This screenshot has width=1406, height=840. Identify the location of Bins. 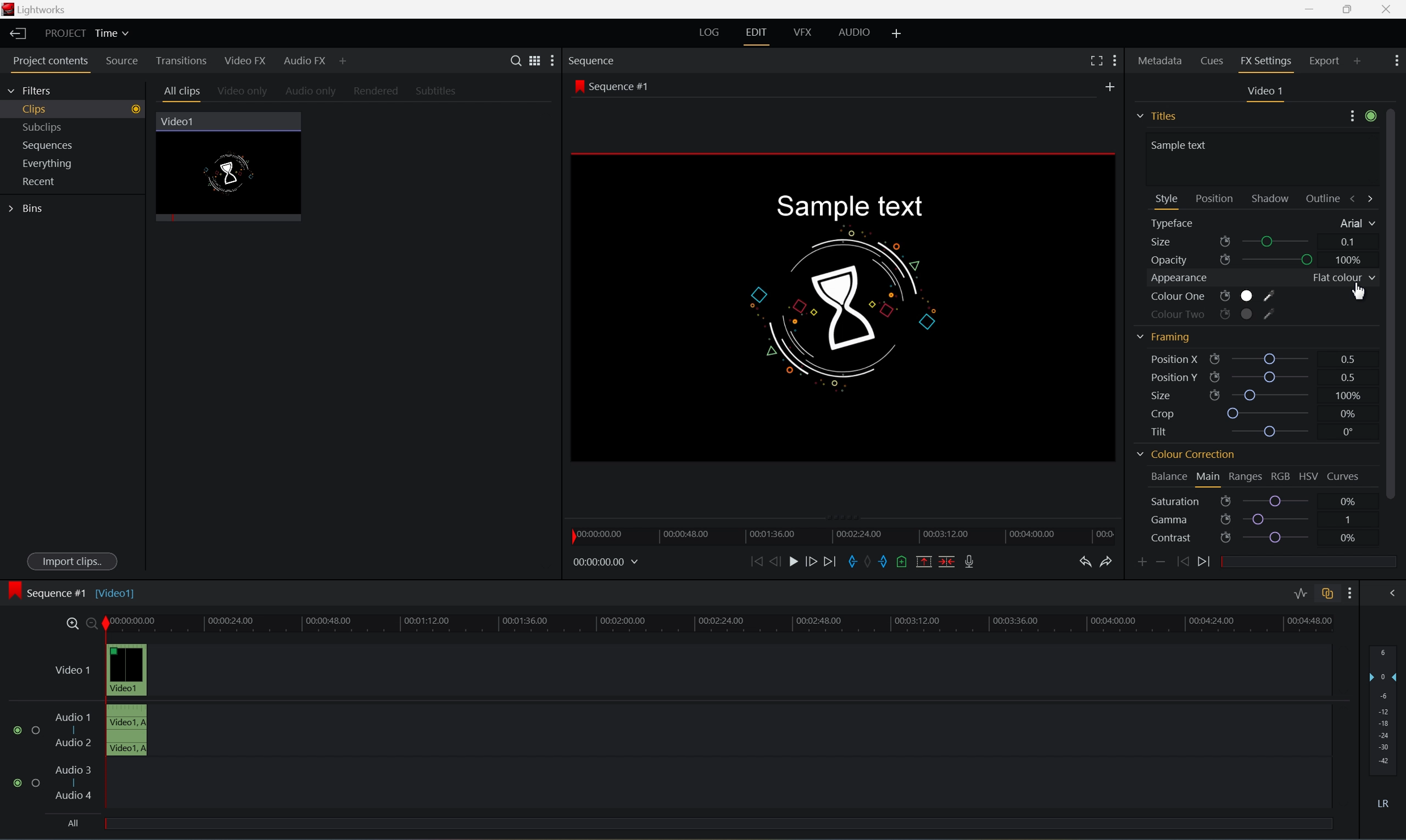
(28, 209).